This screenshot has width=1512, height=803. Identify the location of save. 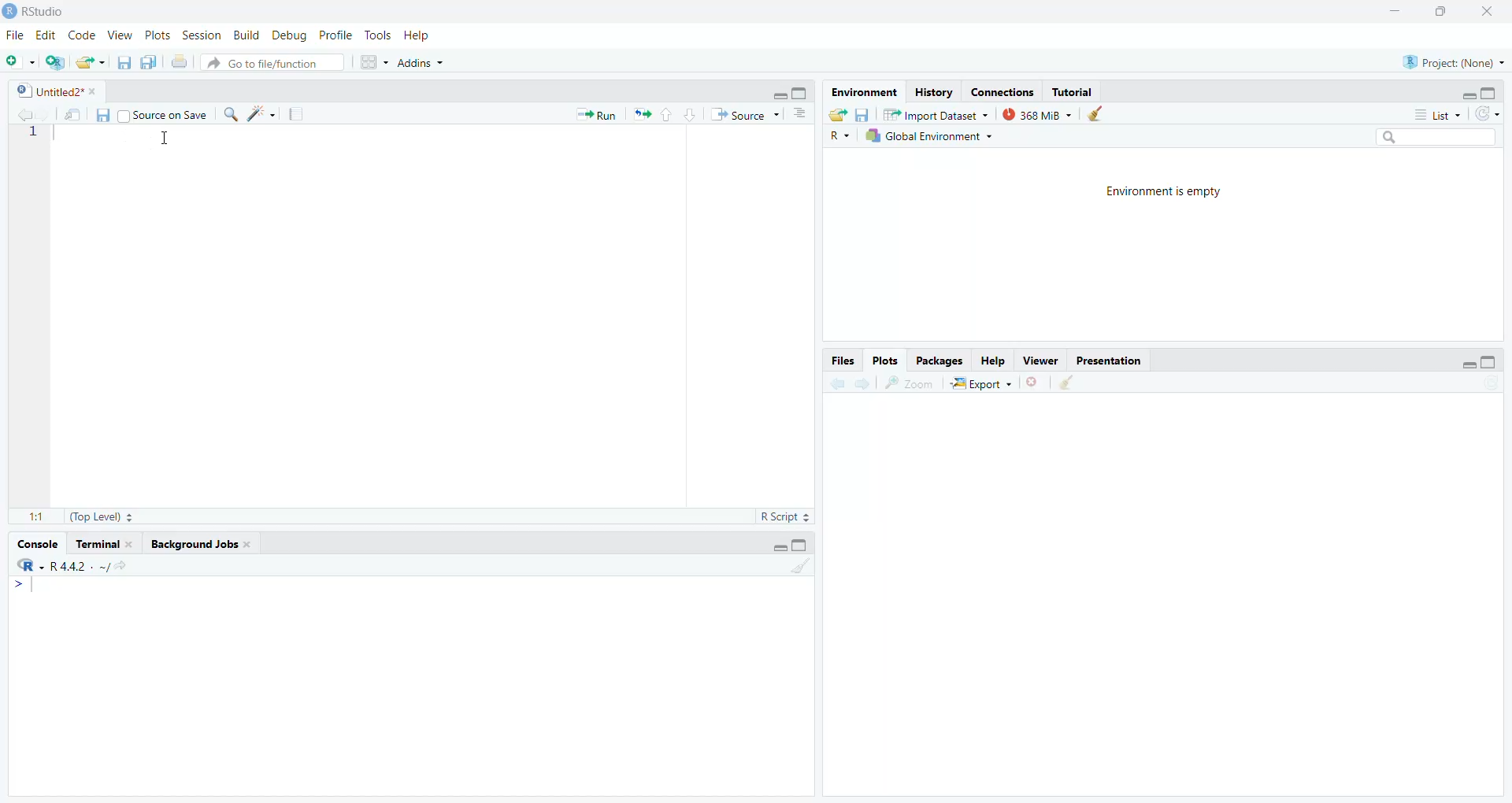
(865, 115).